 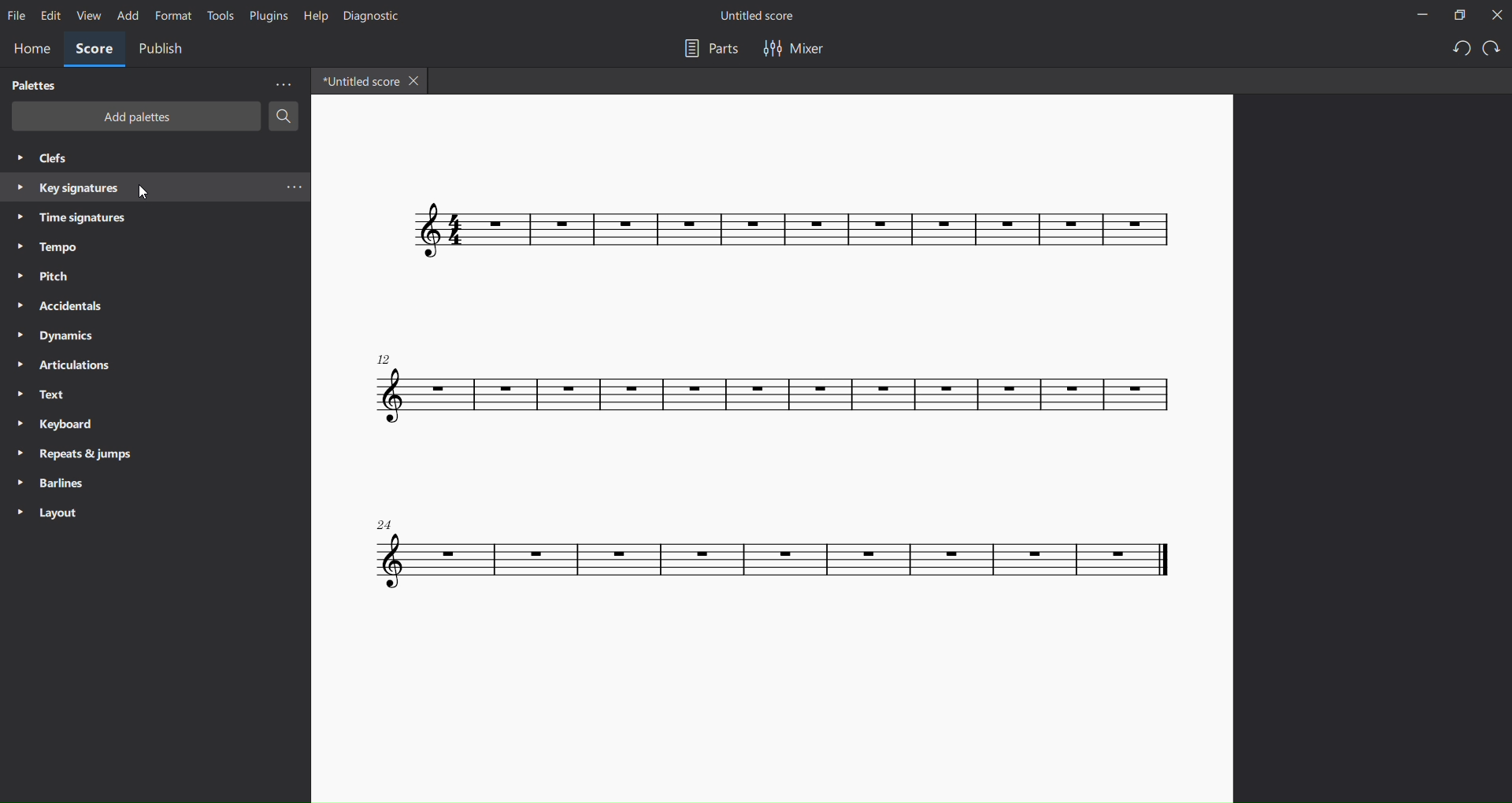 What do you see at coordinates (805, 48) in the screenshot?
I see `mixer` at bounding box center [805, 48].